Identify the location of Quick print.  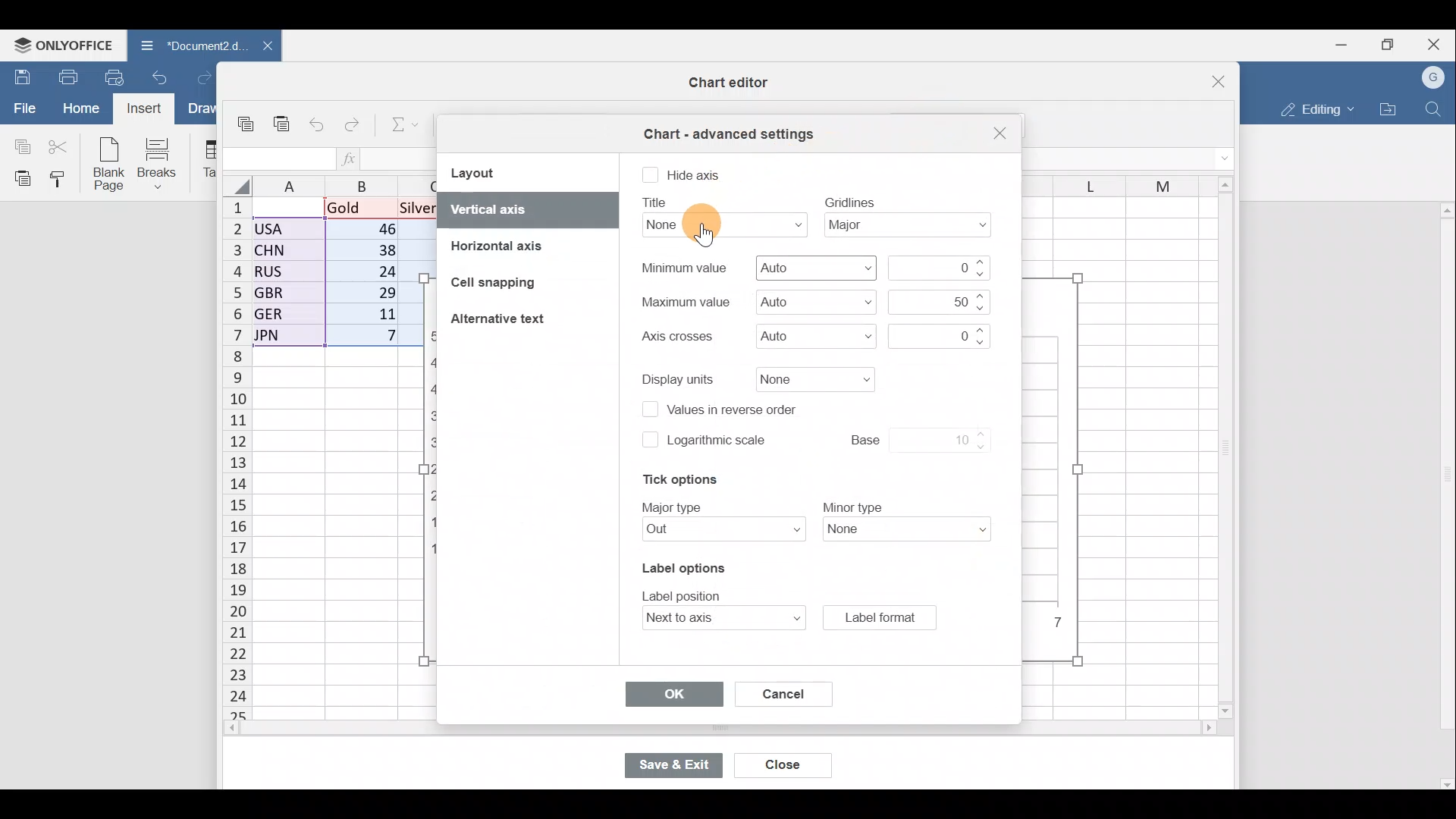
(115, 77).